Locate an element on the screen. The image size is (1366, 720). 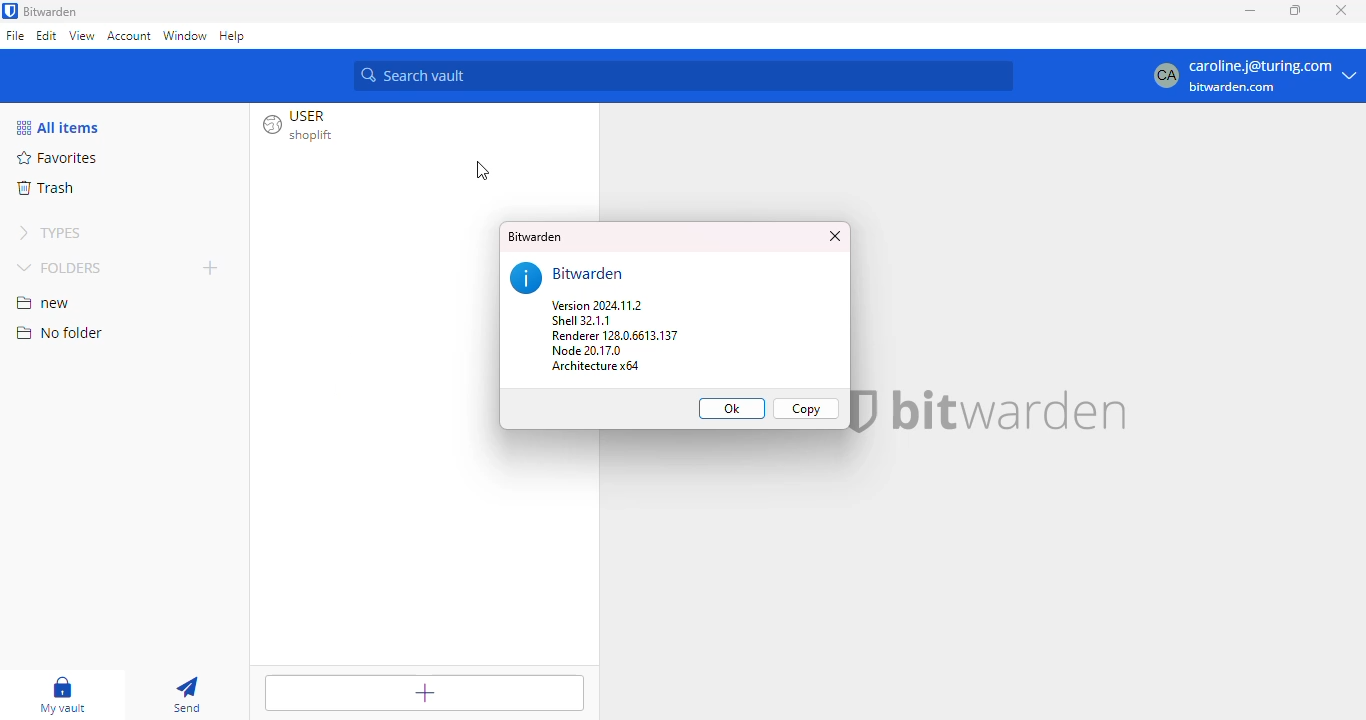
bitwarden is located at coordinates (1007, 412).